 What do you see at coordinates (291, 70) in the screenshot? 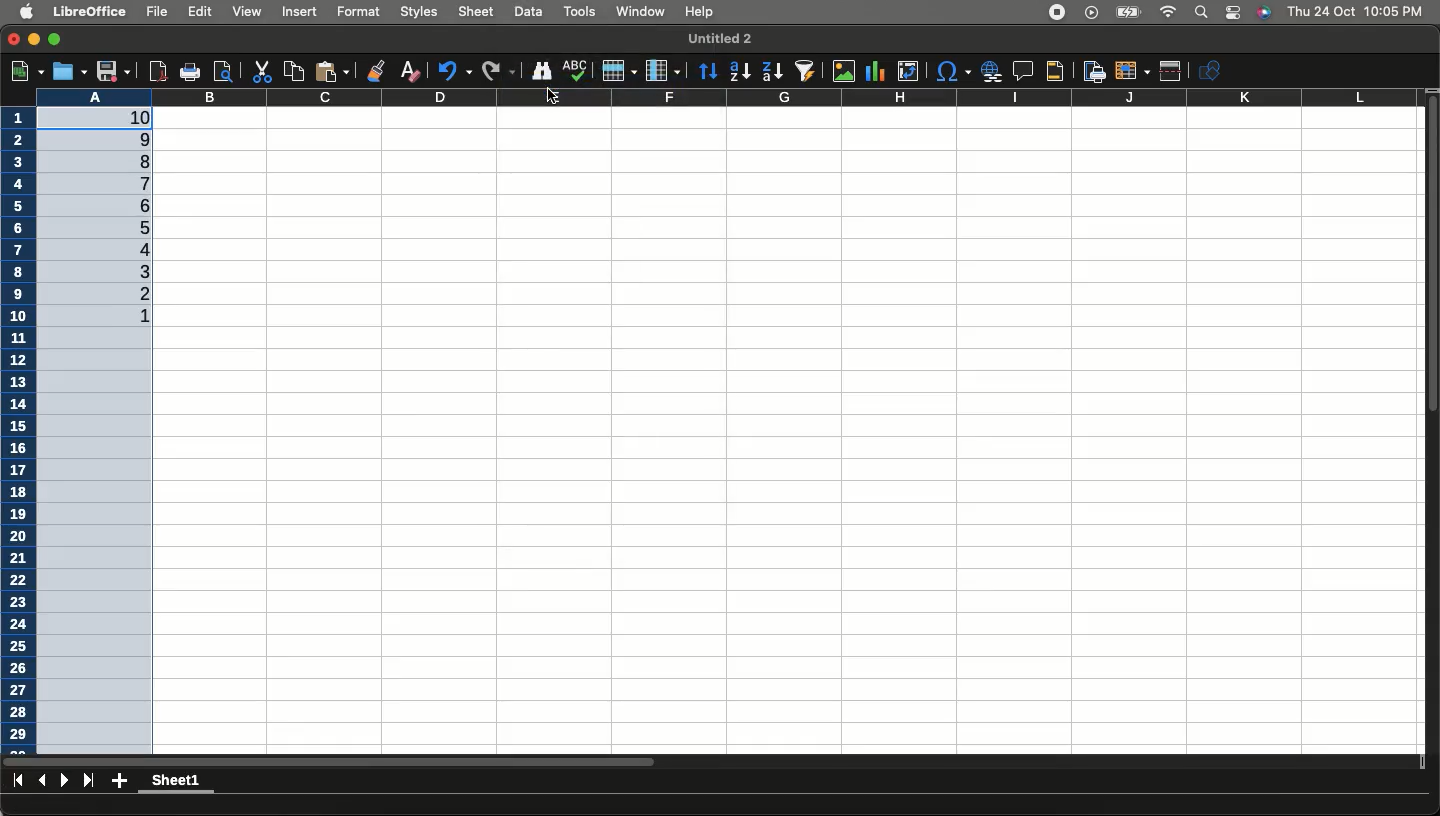
I see `Copy` at bounding box center [291, 70].